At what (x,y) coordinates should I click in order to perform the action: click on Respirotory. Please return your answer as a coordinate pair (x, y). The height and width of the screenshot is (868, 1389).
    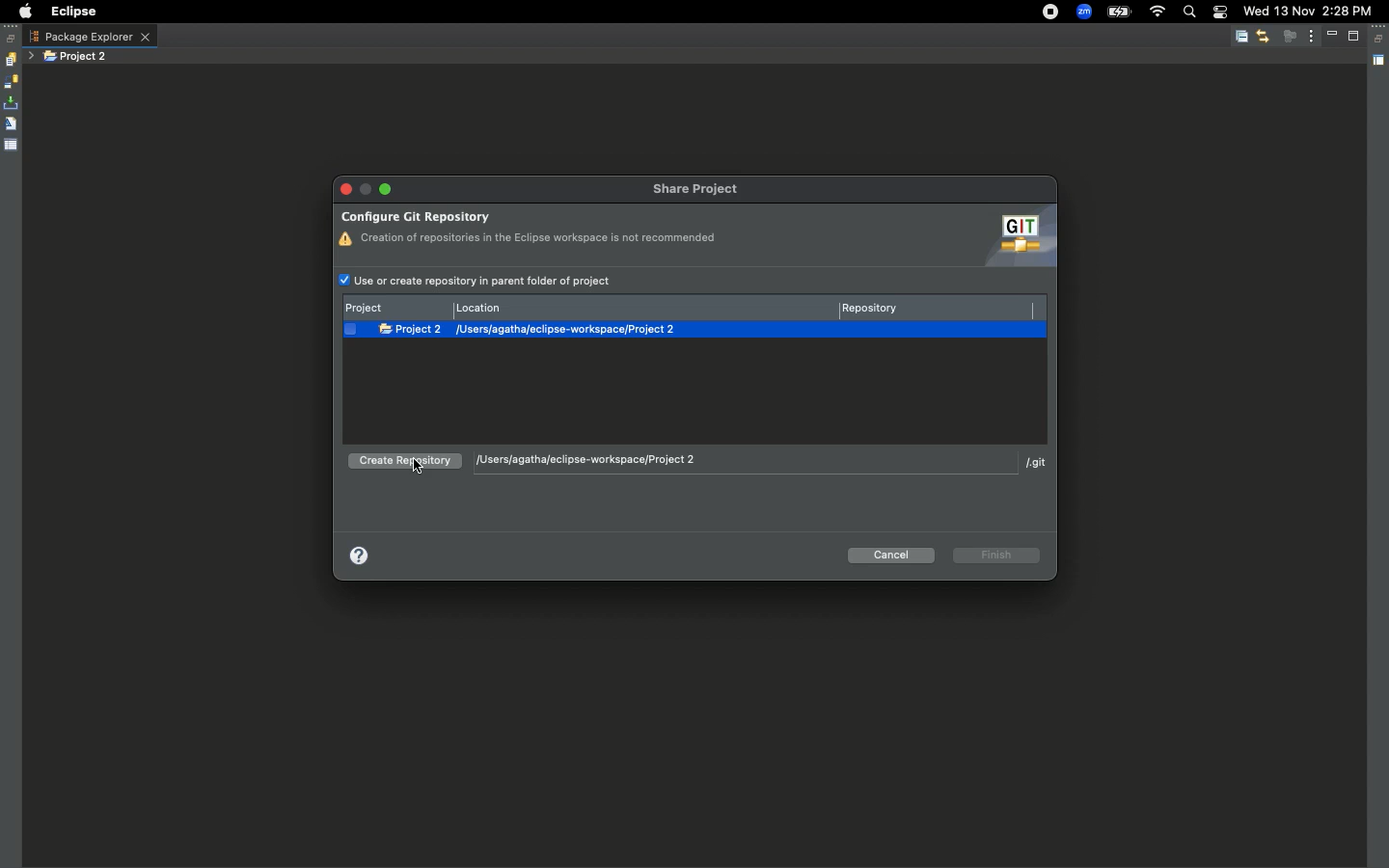
    Looking at the image, I should click on (934, 307).